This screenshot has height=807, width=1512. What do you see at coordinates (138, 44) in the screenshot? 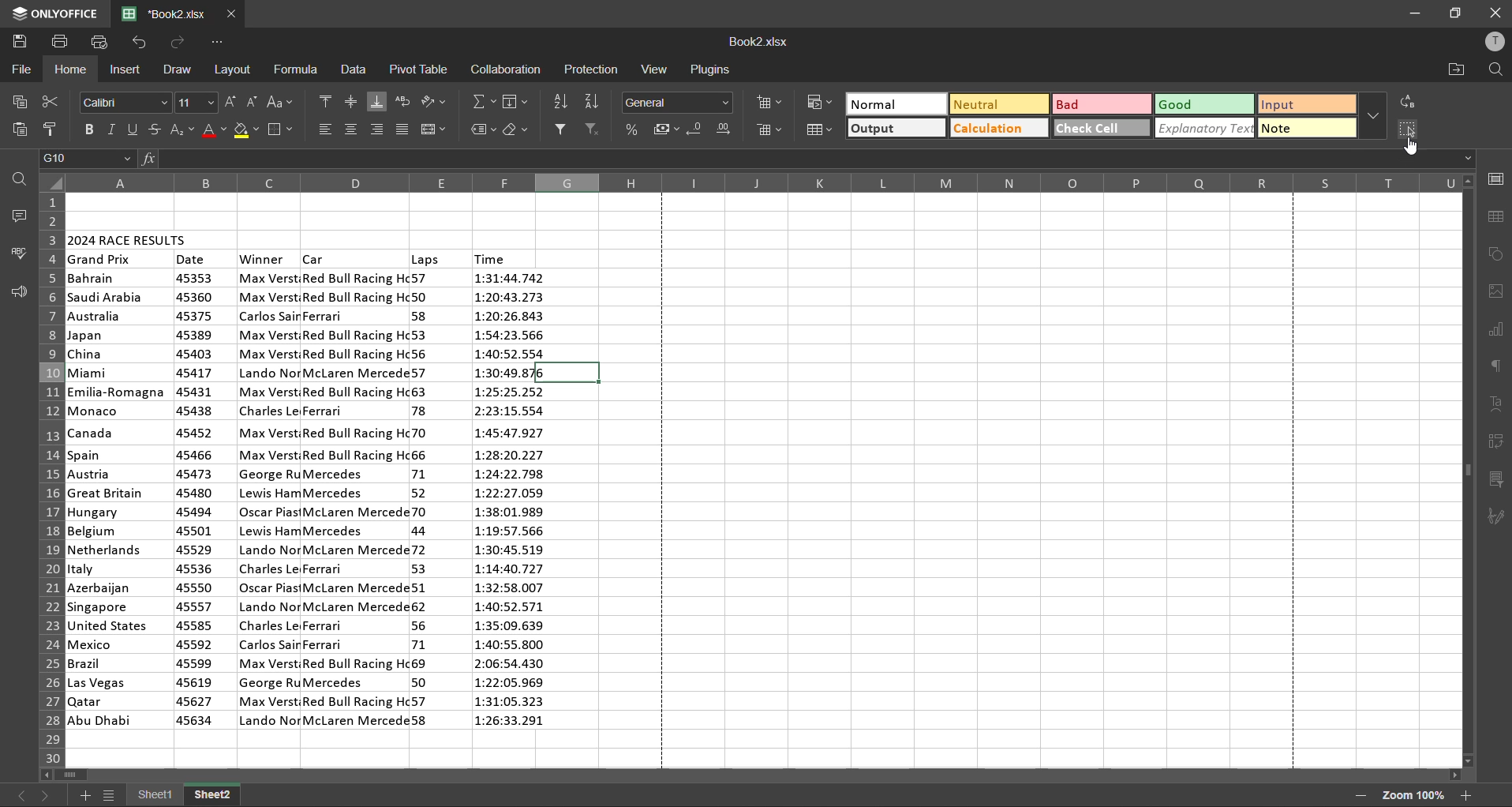
I see `undo` at bounding box center [138, 44].